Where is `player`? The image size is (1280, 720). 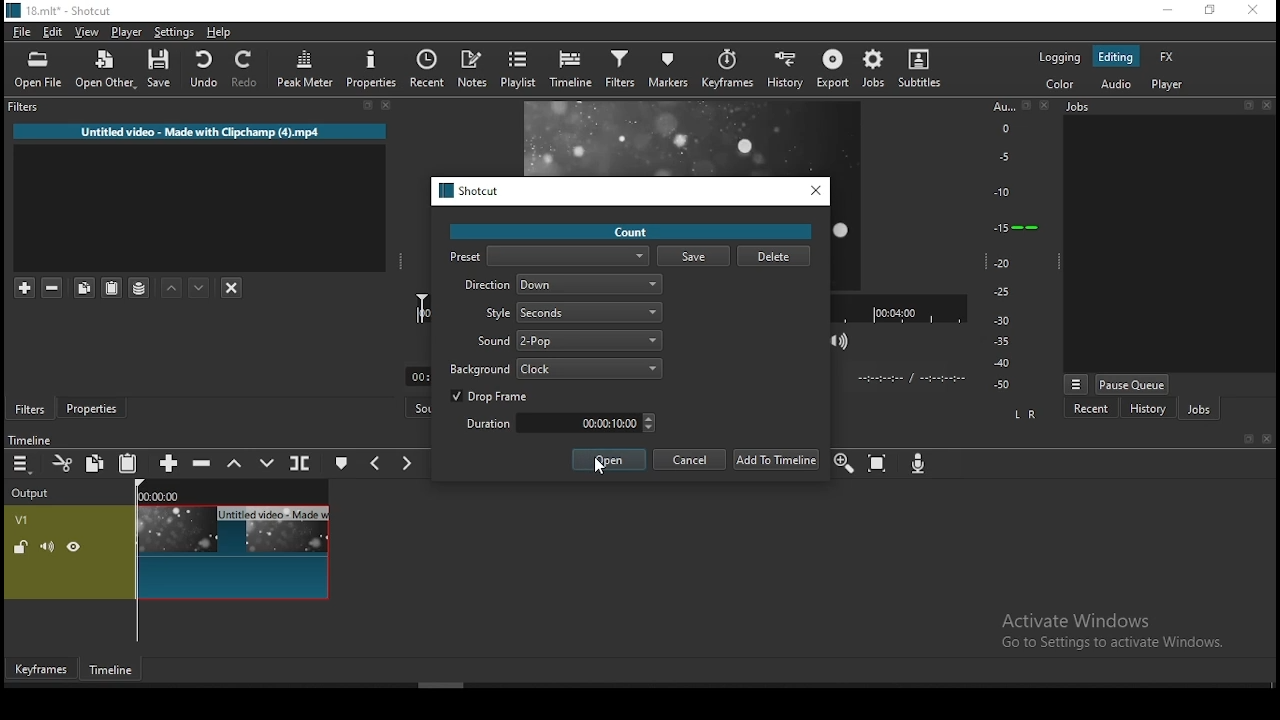 player is located at coordinates (125, 31).